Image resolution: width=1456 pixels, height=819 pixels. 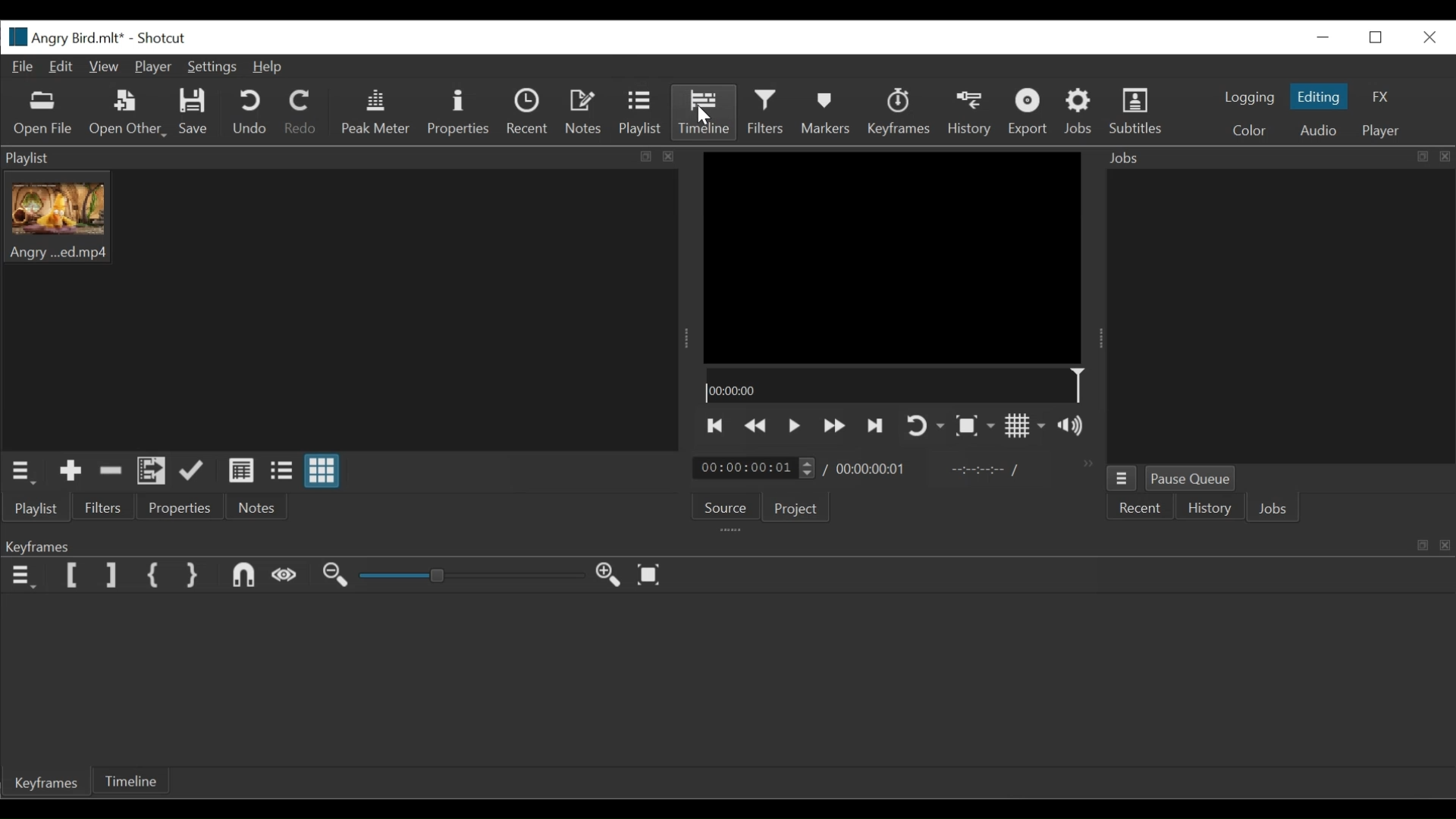 What do you see at coordinates (300, 111) in the screenshot?
I see `Redo` at bounding box center [300, 111].